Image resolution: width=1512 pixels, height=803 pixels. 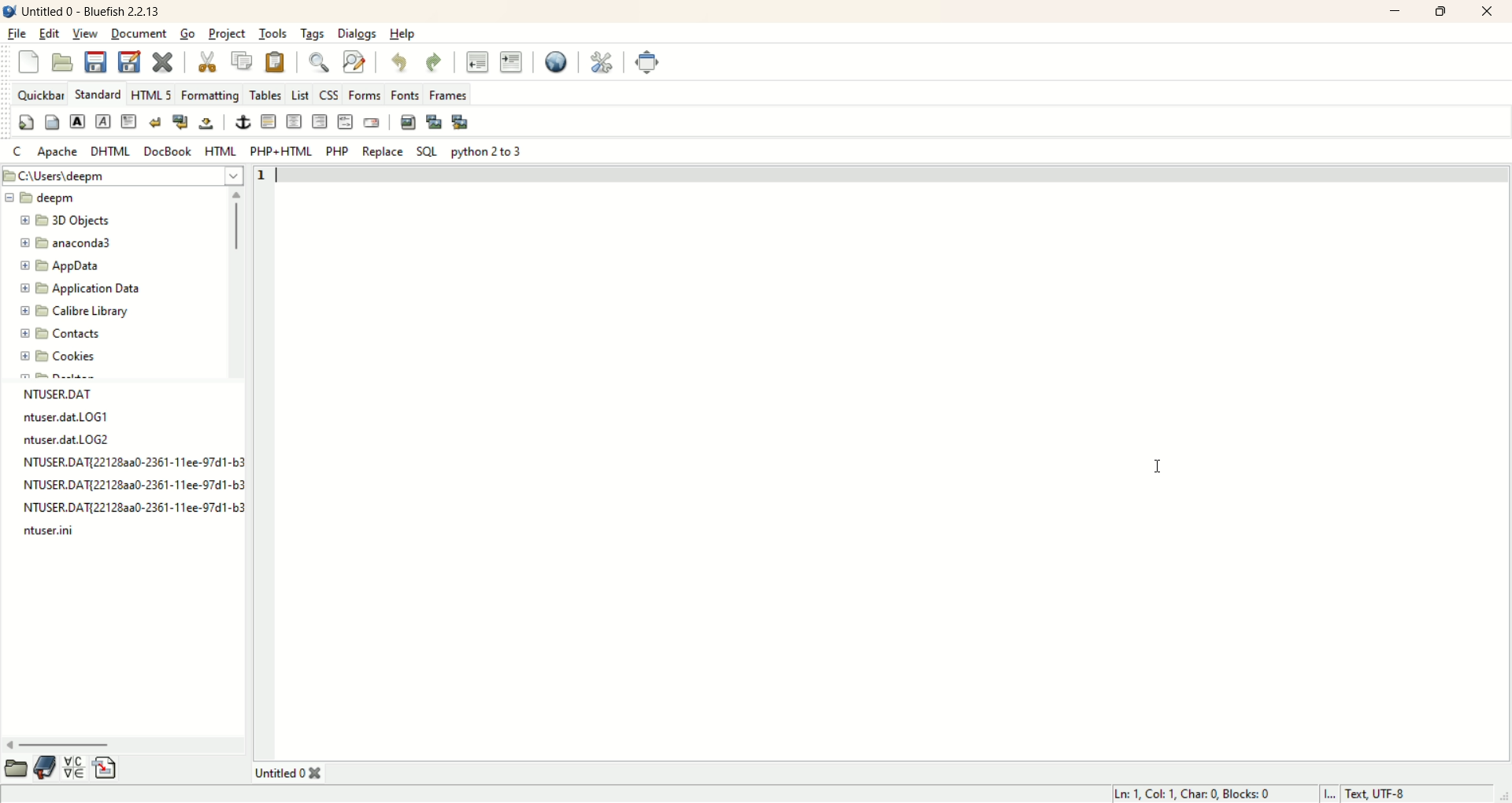 What do you see at coordinates (18, 151) in the screenshot?
I see `C` at bounding box center [18, 151].